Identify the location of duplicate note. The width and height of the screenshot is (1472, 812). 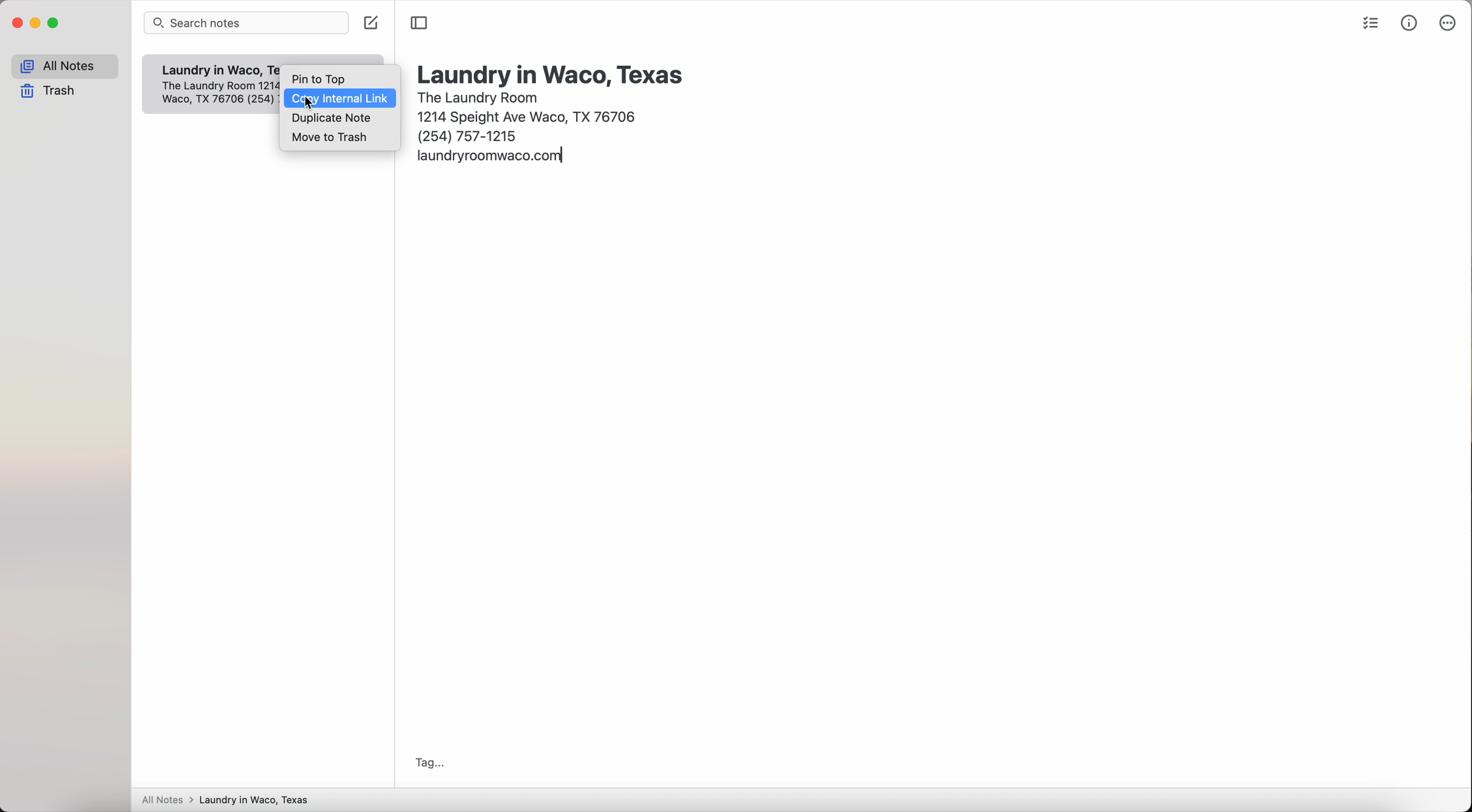
(332, 119).